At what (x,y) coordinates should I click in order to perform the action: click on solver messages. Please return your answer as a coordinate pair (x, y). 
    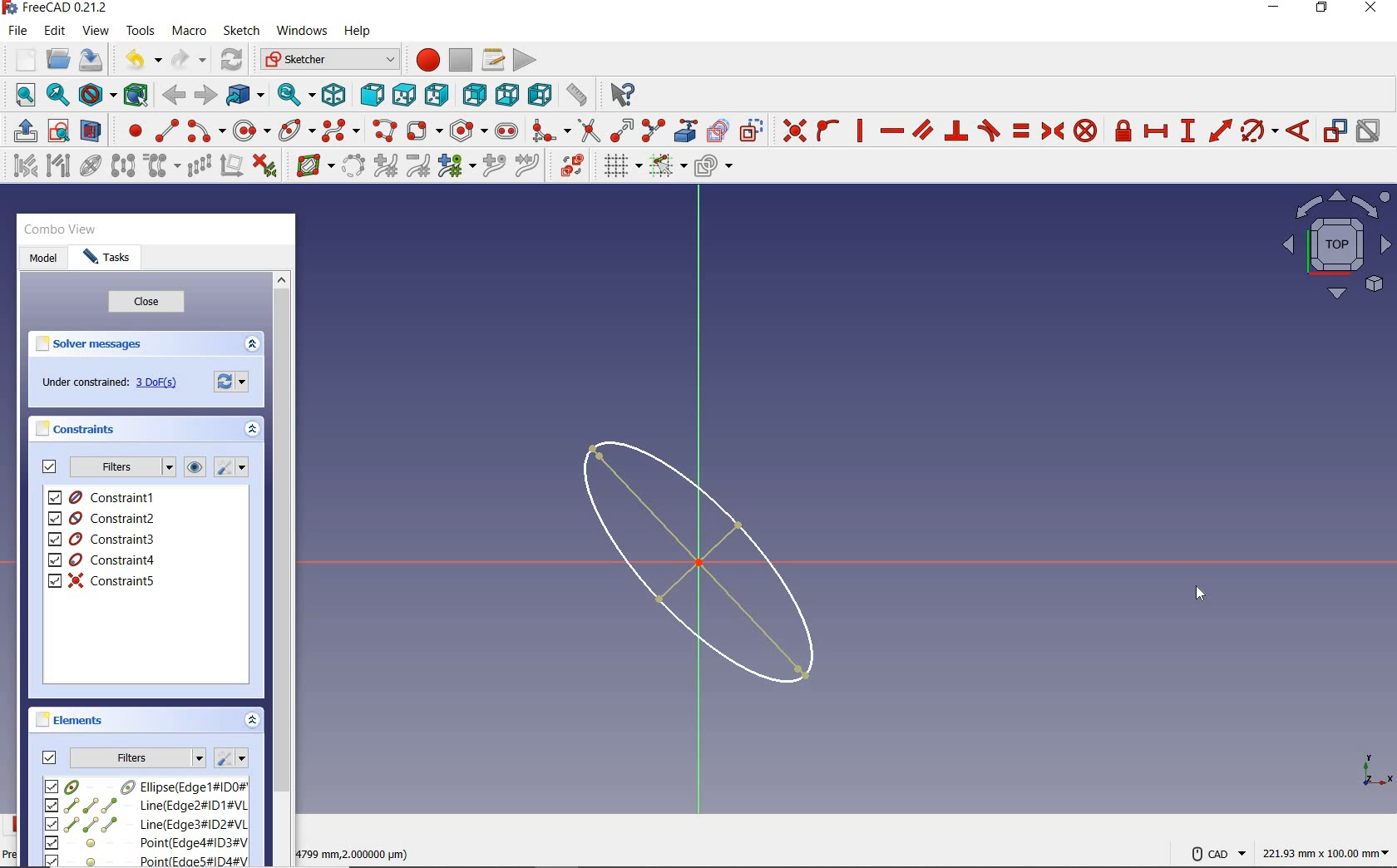
    Looking at the image, I should click on (90, 344).